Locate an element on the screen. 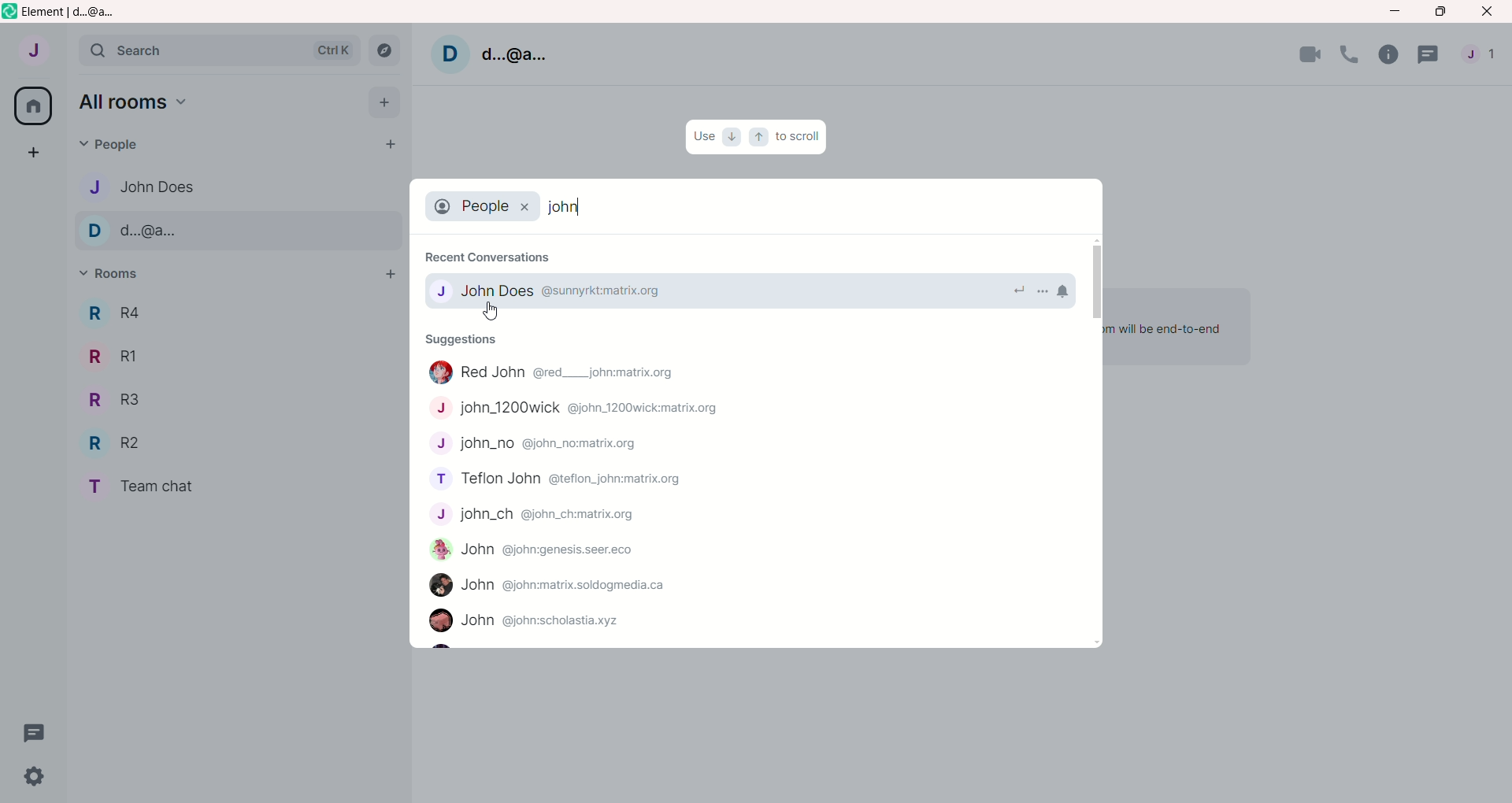  d..@a.. is located at coordinates (139, 231).